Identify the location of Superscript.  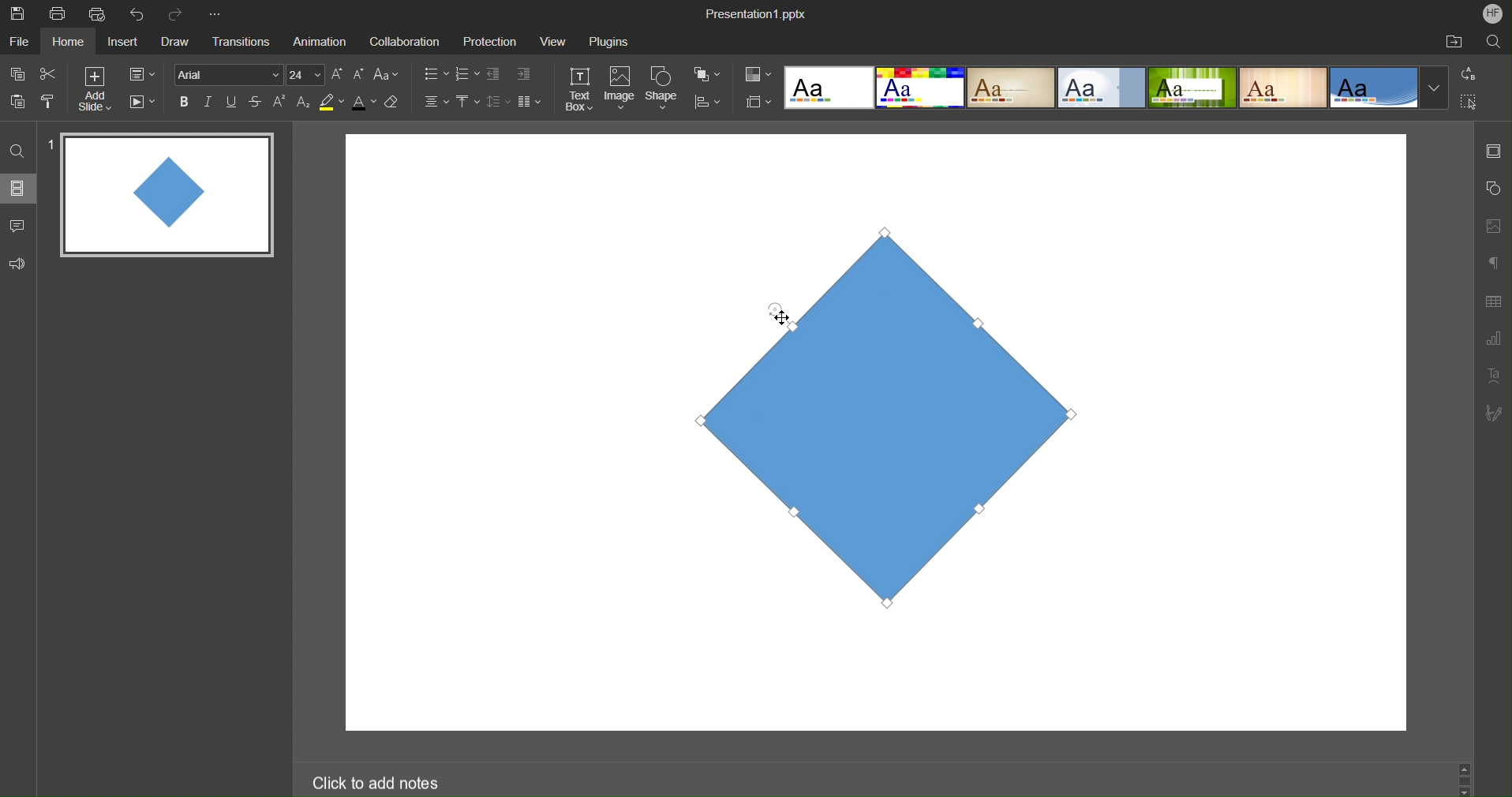
(279, 103).